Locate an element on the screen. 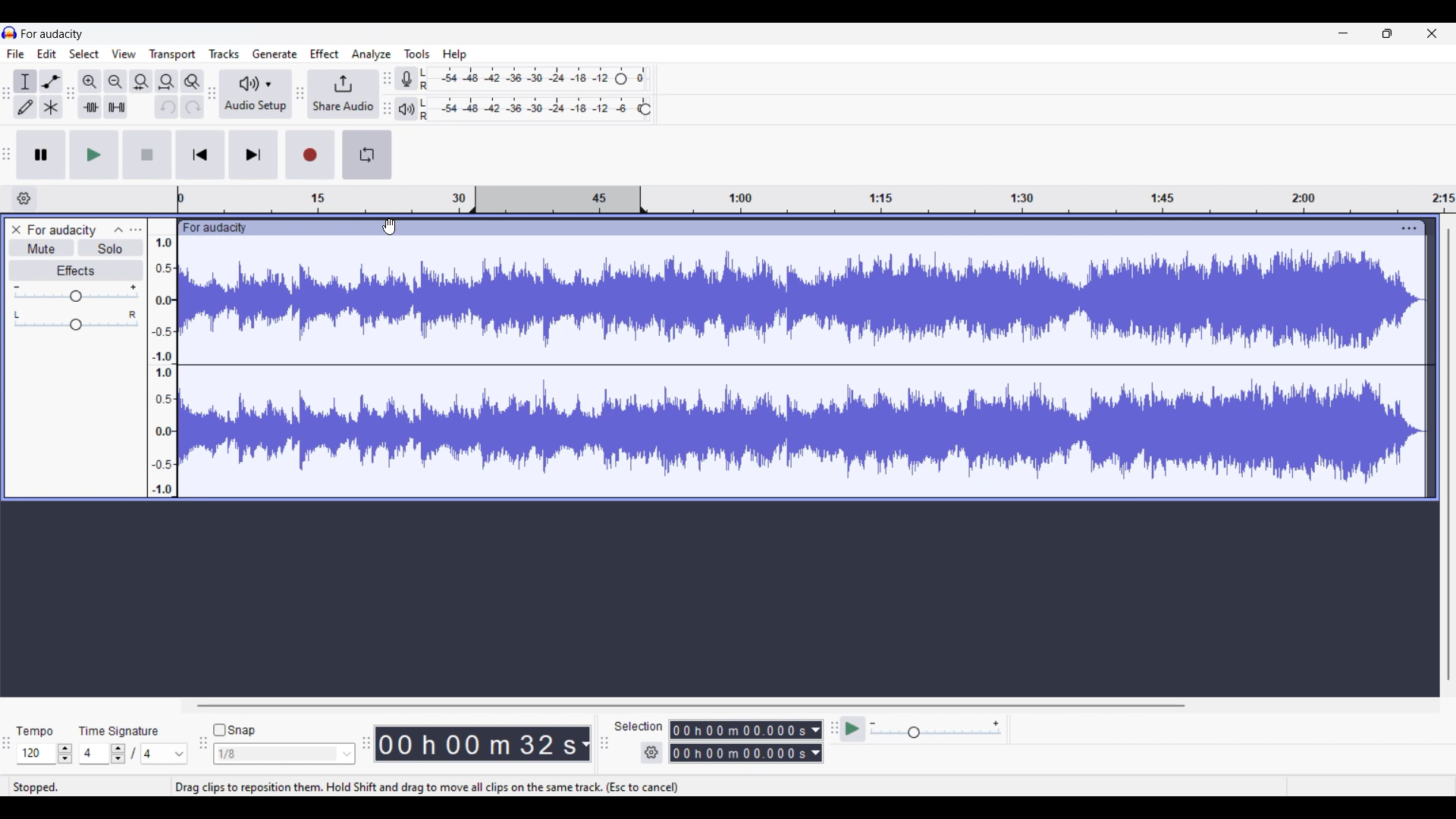 The height and width of the screenshot is (819, 1456). Current timestamp of track is located at coordinates (476, 743).